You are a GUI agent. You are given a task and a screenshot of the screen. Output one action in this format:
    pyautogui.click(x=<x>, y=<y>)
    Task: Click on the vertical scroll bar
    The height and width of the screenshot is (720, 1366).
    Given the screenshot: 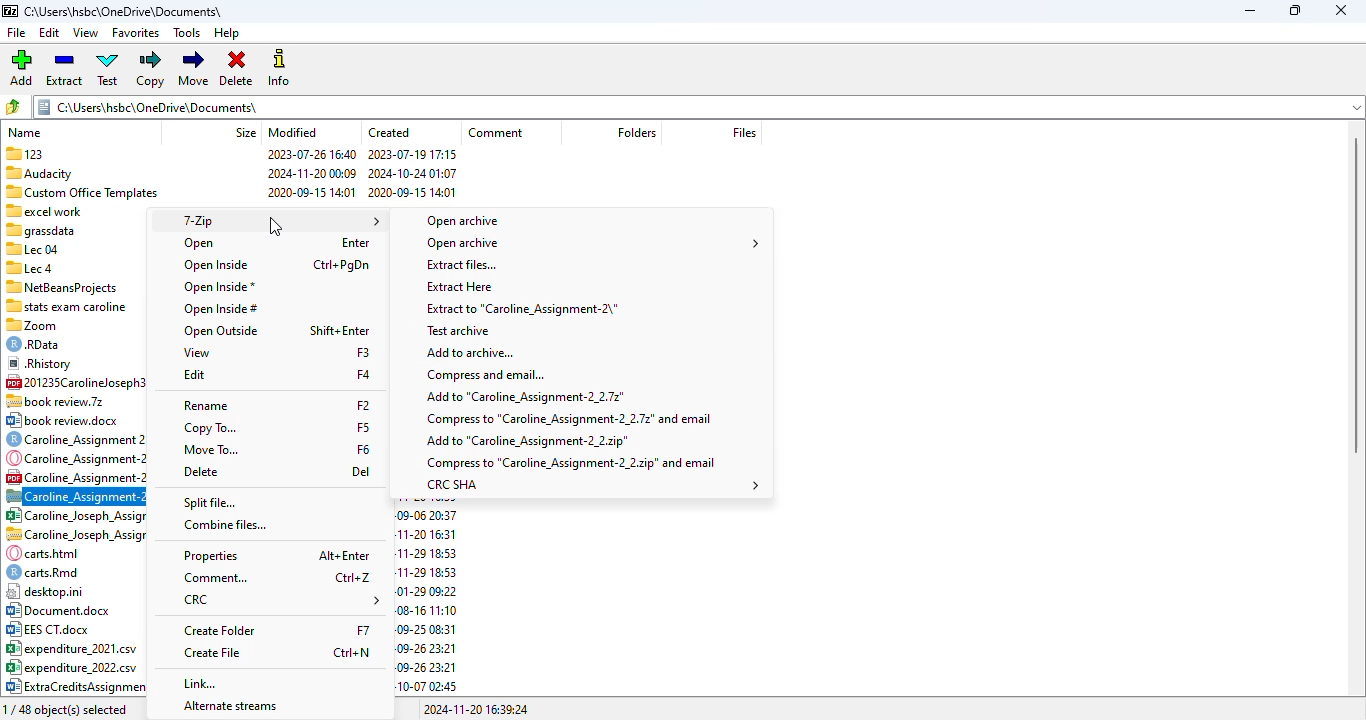 What is the action you would take?
    pyautogui.click(x=1356, y=294)
    